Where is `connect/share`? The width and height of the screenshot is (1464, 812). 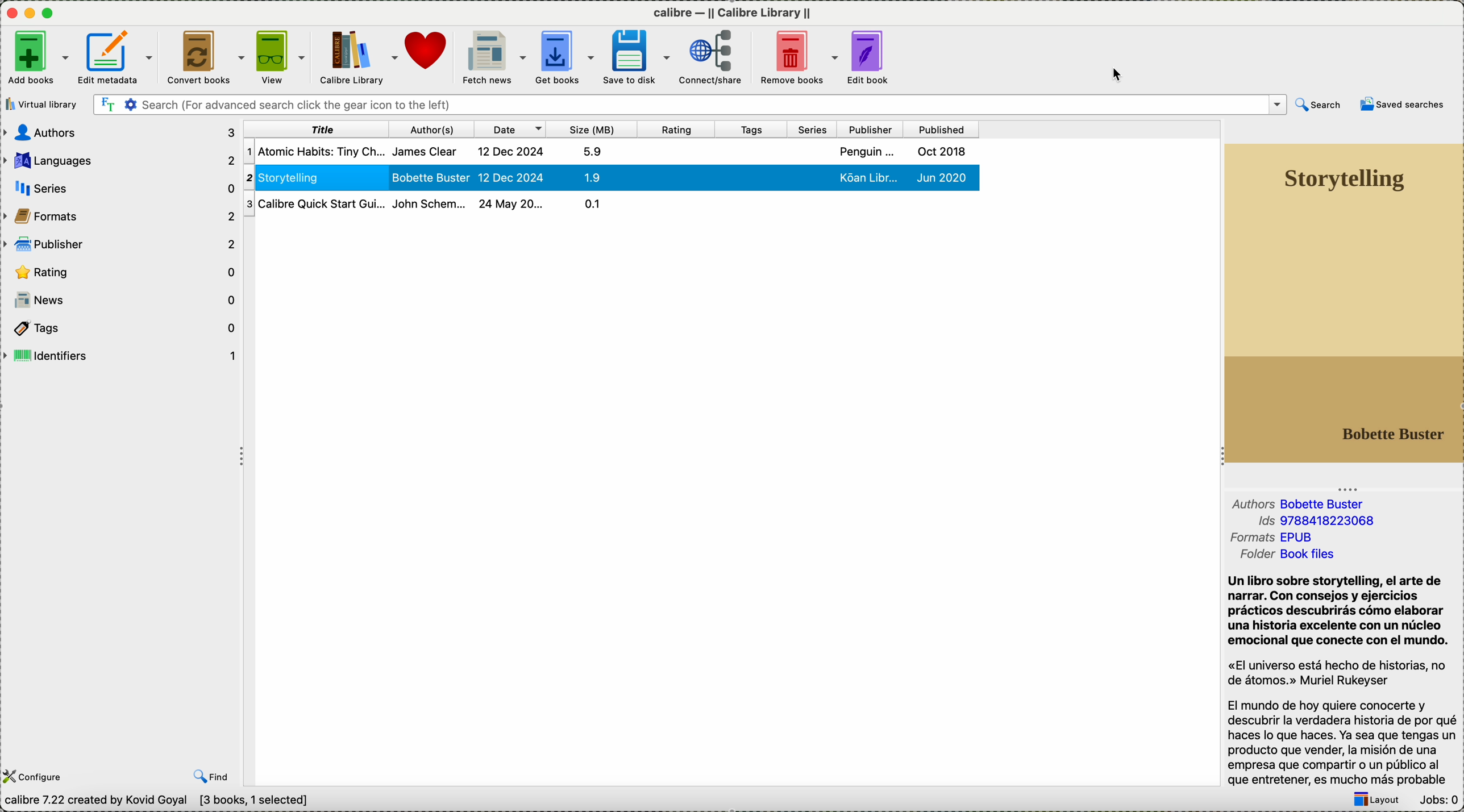
connect/share is located at coordinates (713, 57).